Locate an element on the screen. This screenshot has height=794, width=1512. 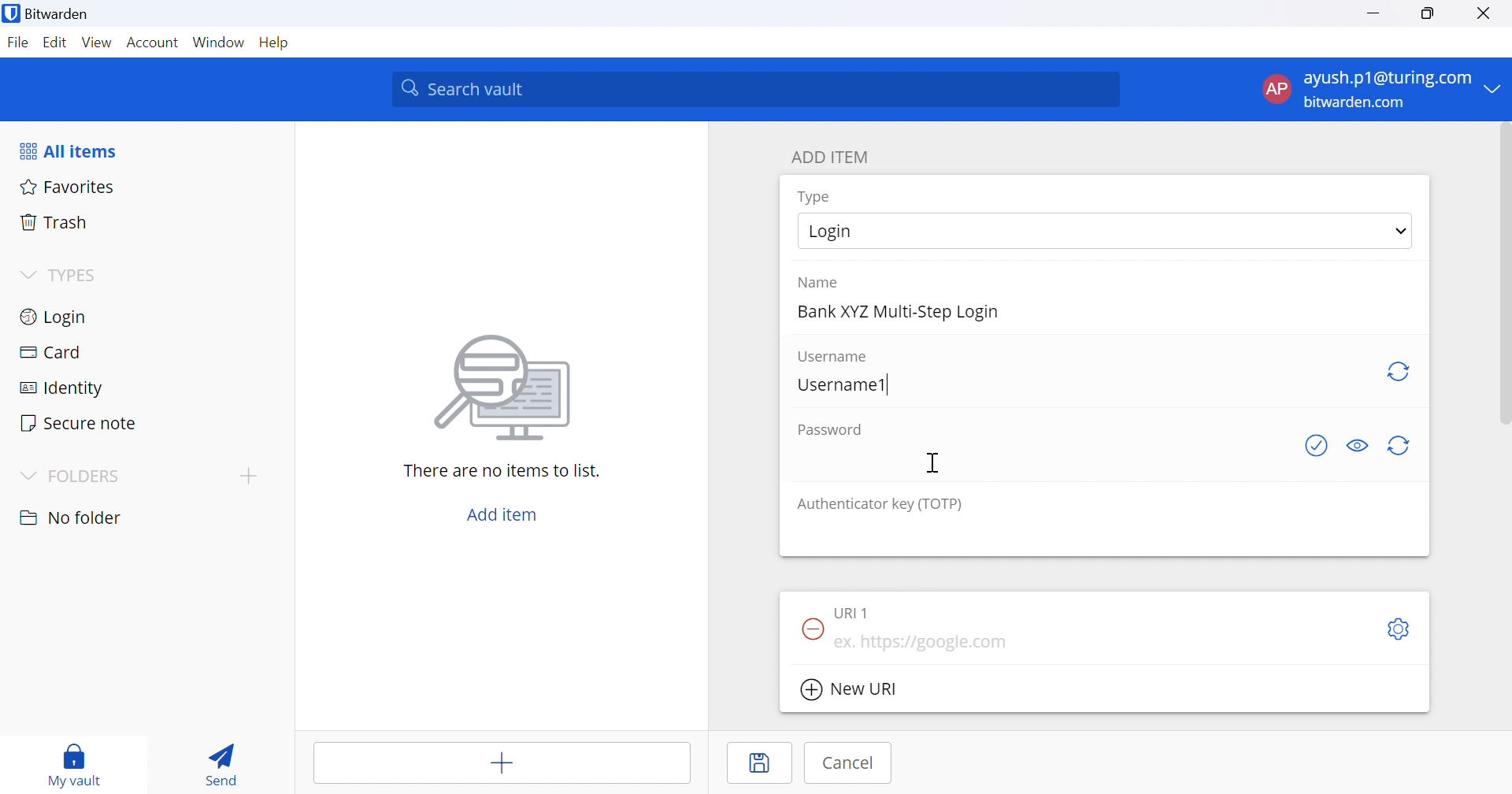
bitwarden.com is located at coordinates (1354, 102).